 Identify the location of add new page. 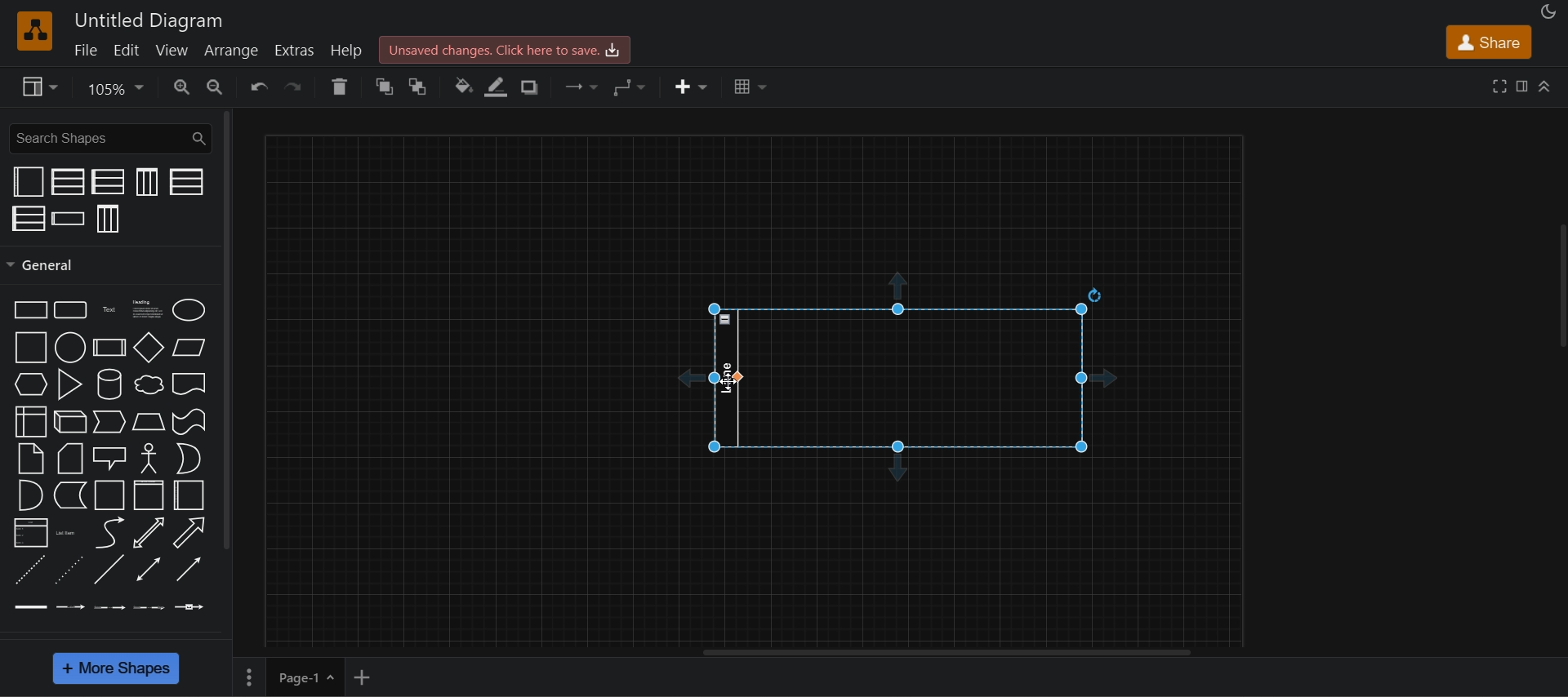
(369, 675).